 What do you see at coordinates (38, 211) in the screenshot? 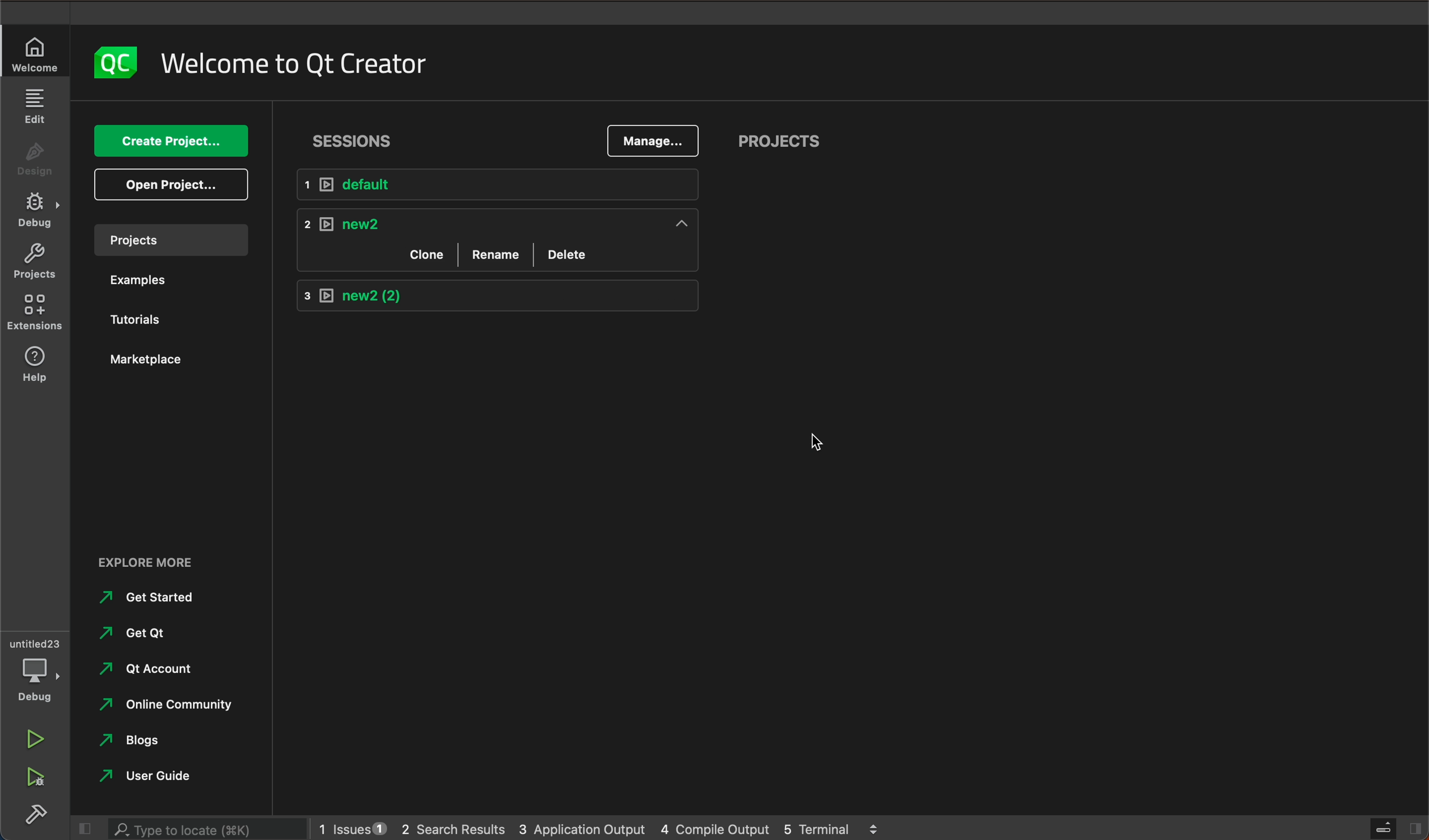
I see `debug` at bounding box center [38, 211].